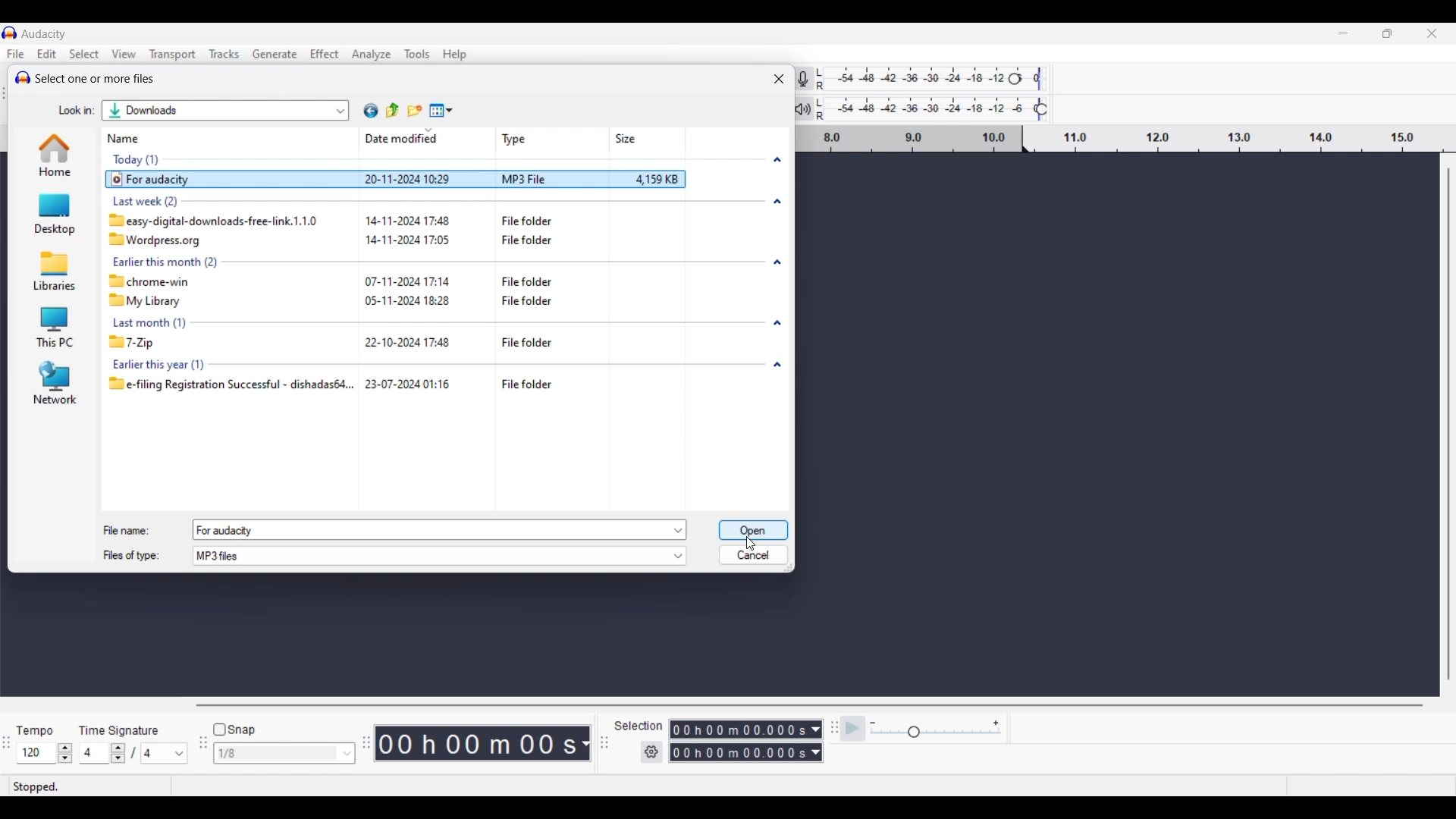  What do you see at coordinates (98, 80) in the screenshot?
I see `Select one or more files` at bounding box center [98, 80].